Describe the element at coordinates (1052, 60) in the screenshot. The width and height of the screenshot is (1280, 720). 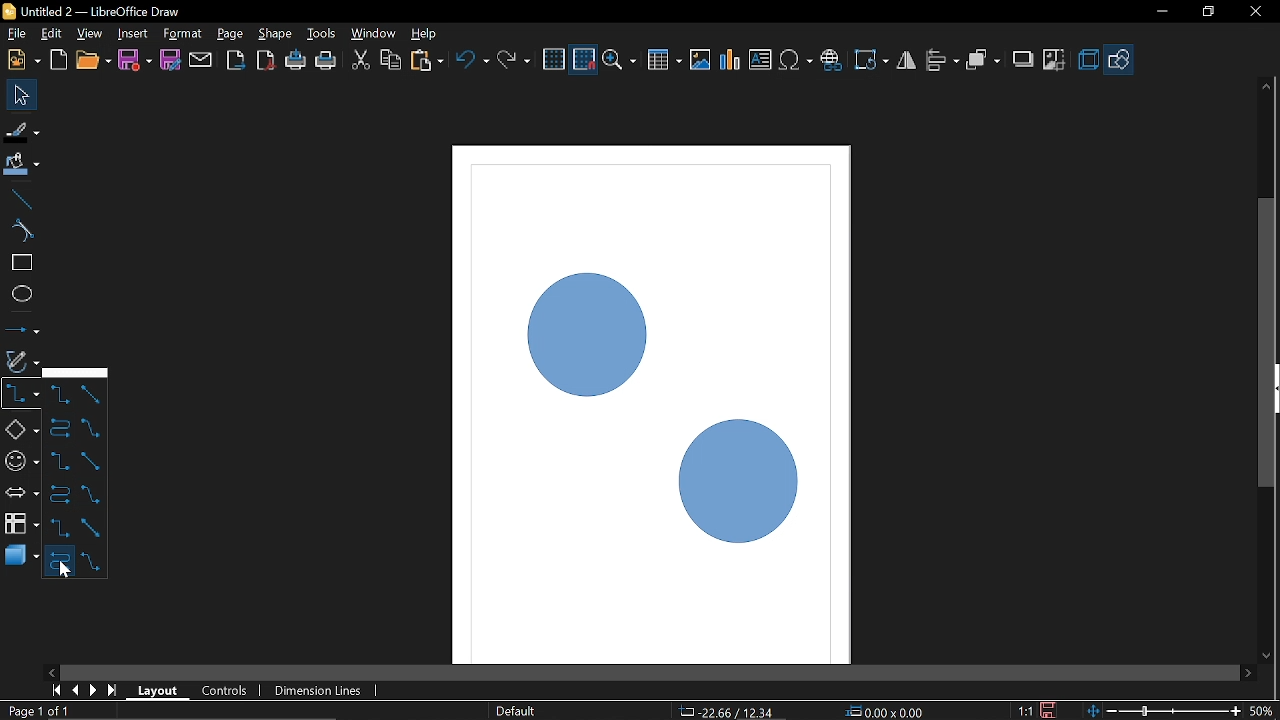
I see `Crop` at that location.